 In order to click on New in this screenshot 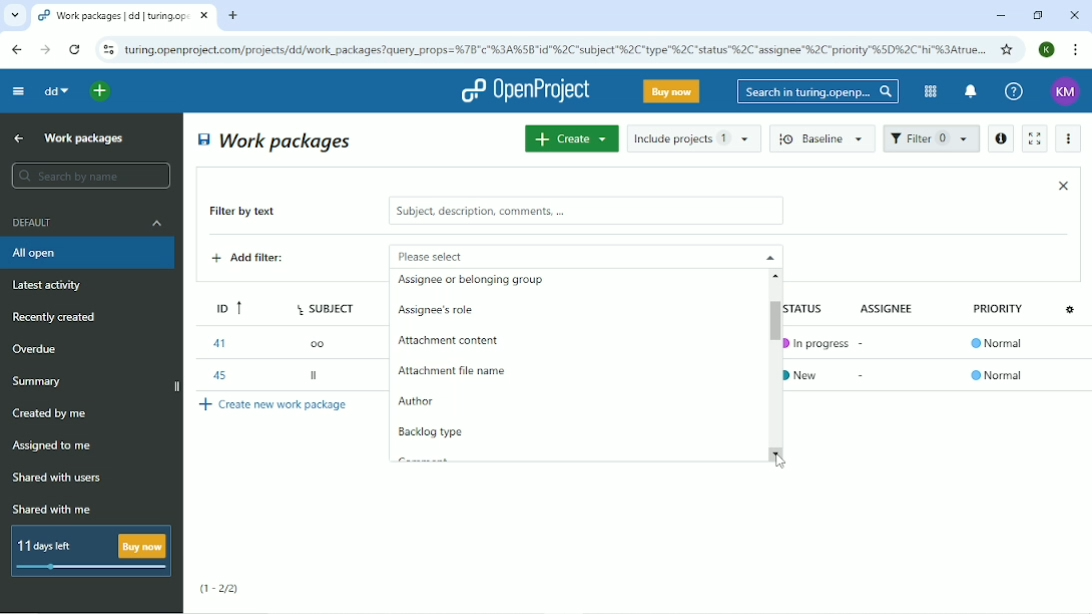, I will do `click(808, 373)`.